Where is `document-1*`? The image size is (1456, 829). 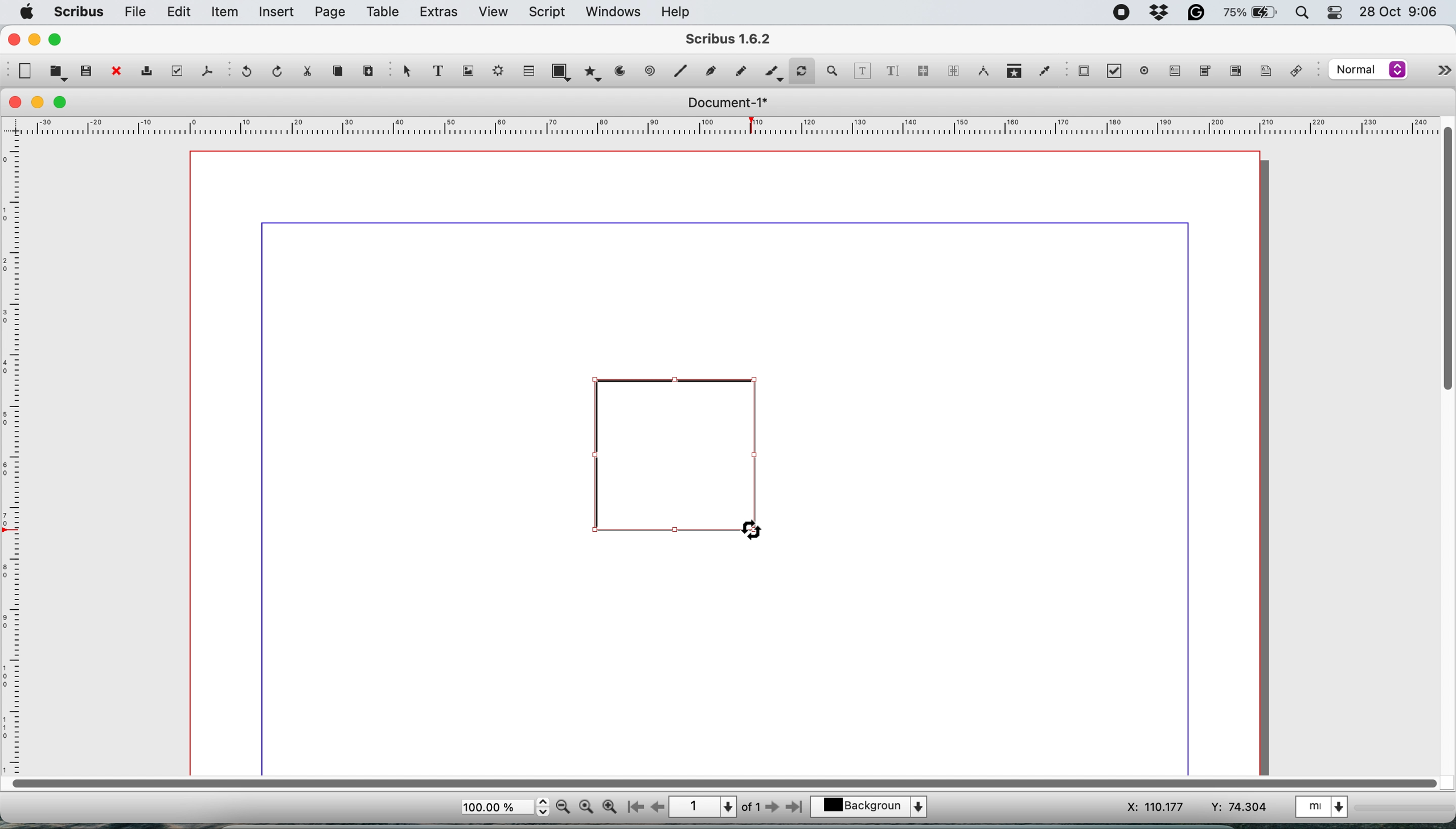
document-1* is located at coordinates (724, 103).